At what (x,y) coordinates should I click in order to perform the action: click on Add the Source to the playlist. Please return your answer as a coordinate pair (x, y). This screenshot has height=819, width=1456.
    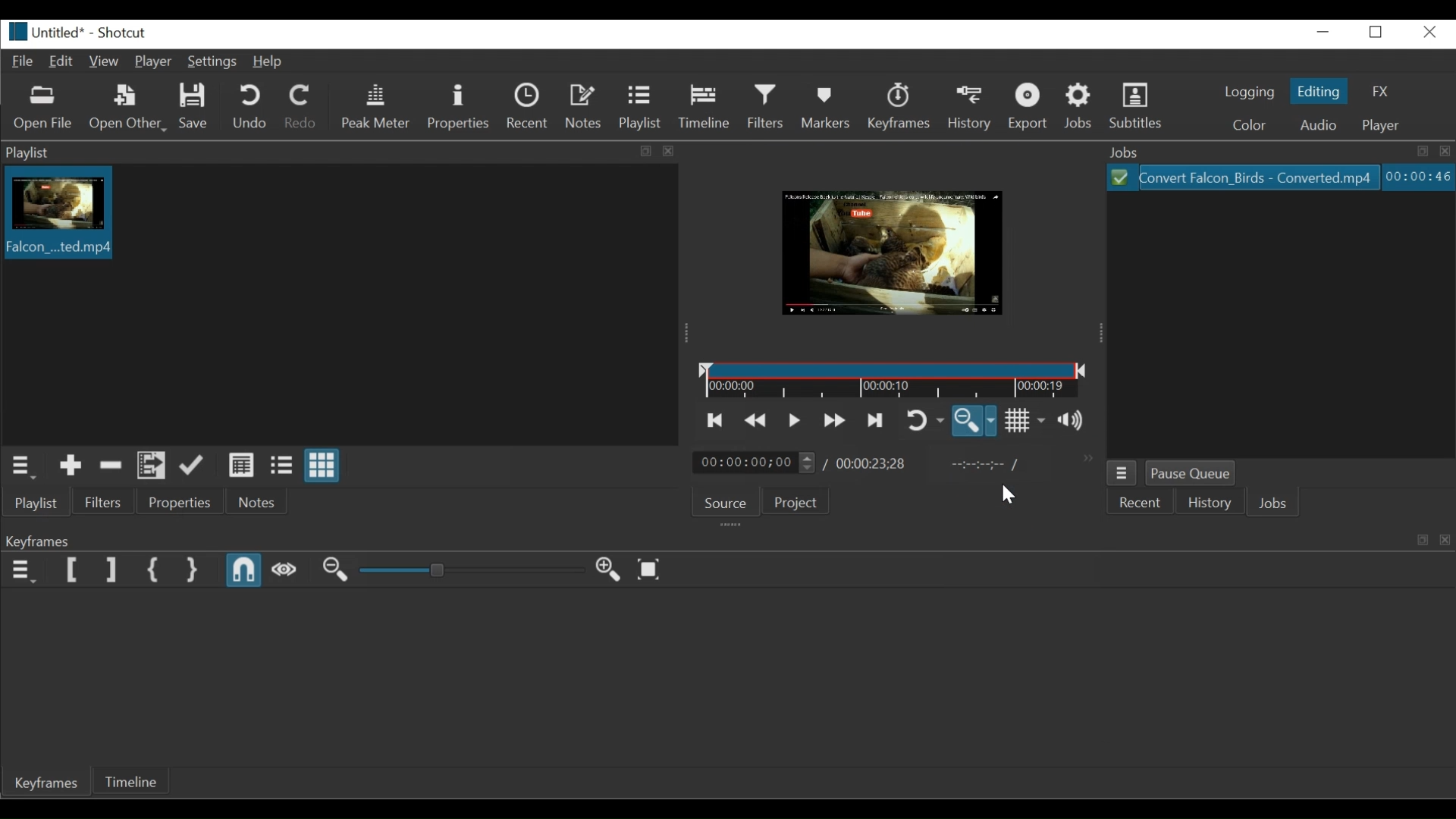
    Looking at the image, I should click on (70, 466).